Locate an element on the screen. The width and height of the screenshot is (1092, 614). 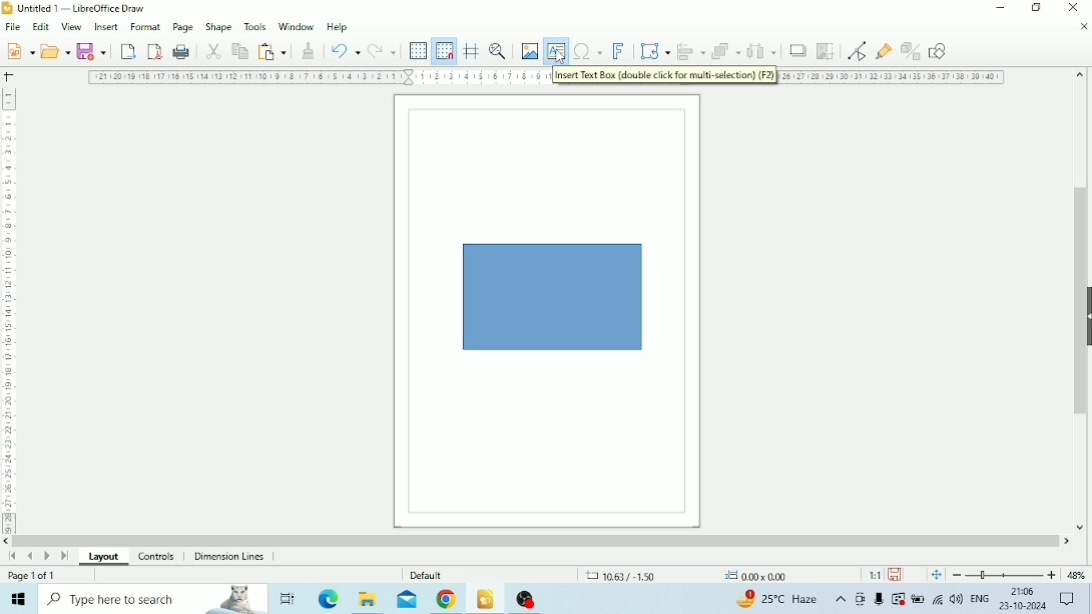
Show Draw Functions is located at coordinates (940, 52).